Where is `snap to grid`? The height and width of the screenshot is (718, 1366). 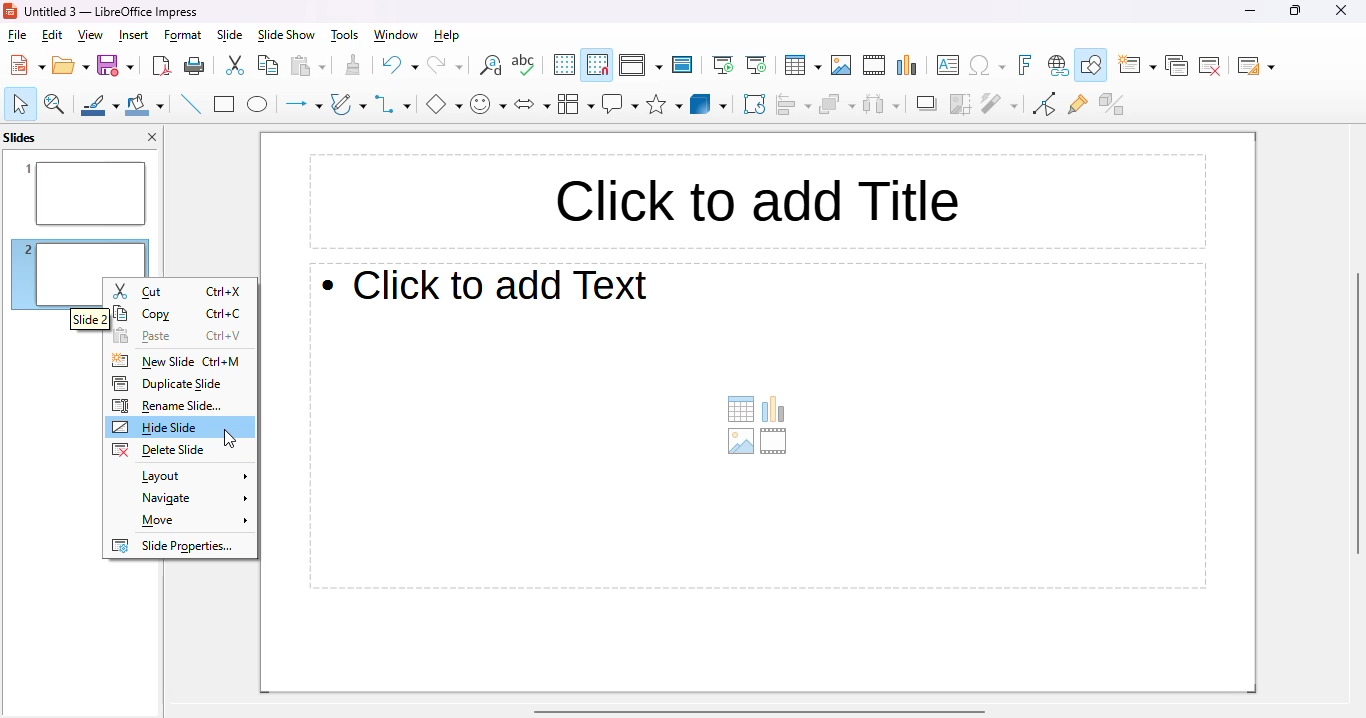
snap to grid is located at coordinates (597, 65).